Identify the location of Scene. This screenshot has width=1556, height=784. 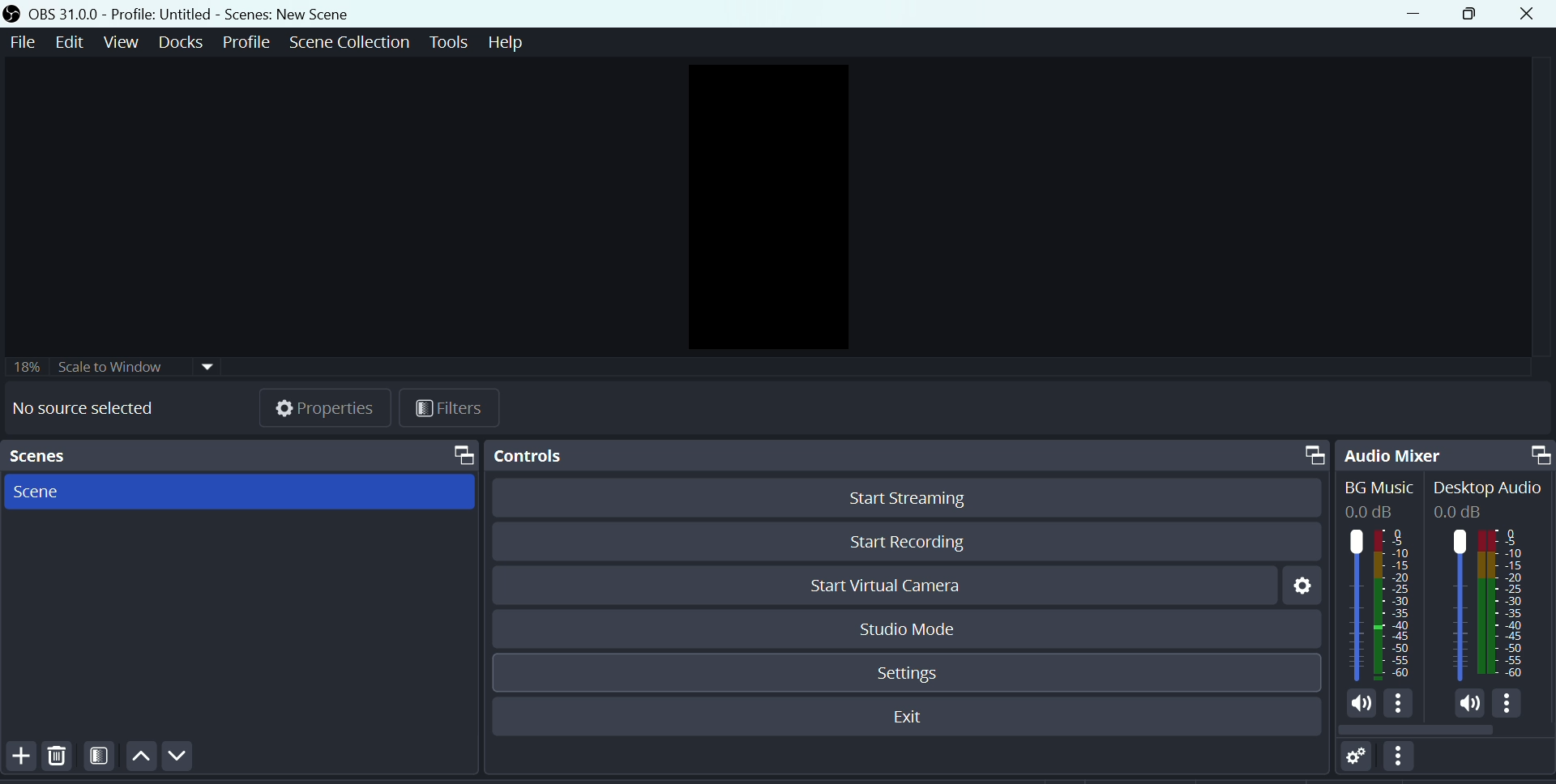
(35, 492).